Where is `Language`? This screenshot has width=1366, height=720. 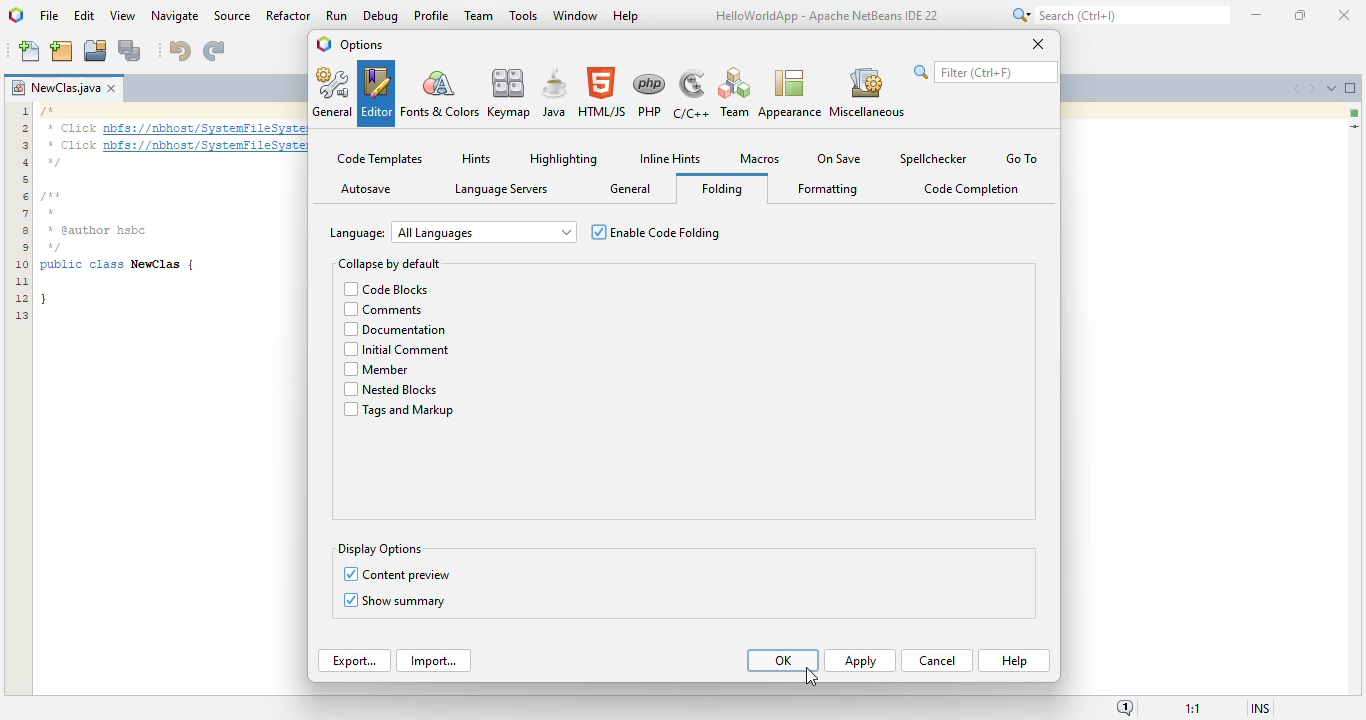
Language is located at coordinates (356, 232).